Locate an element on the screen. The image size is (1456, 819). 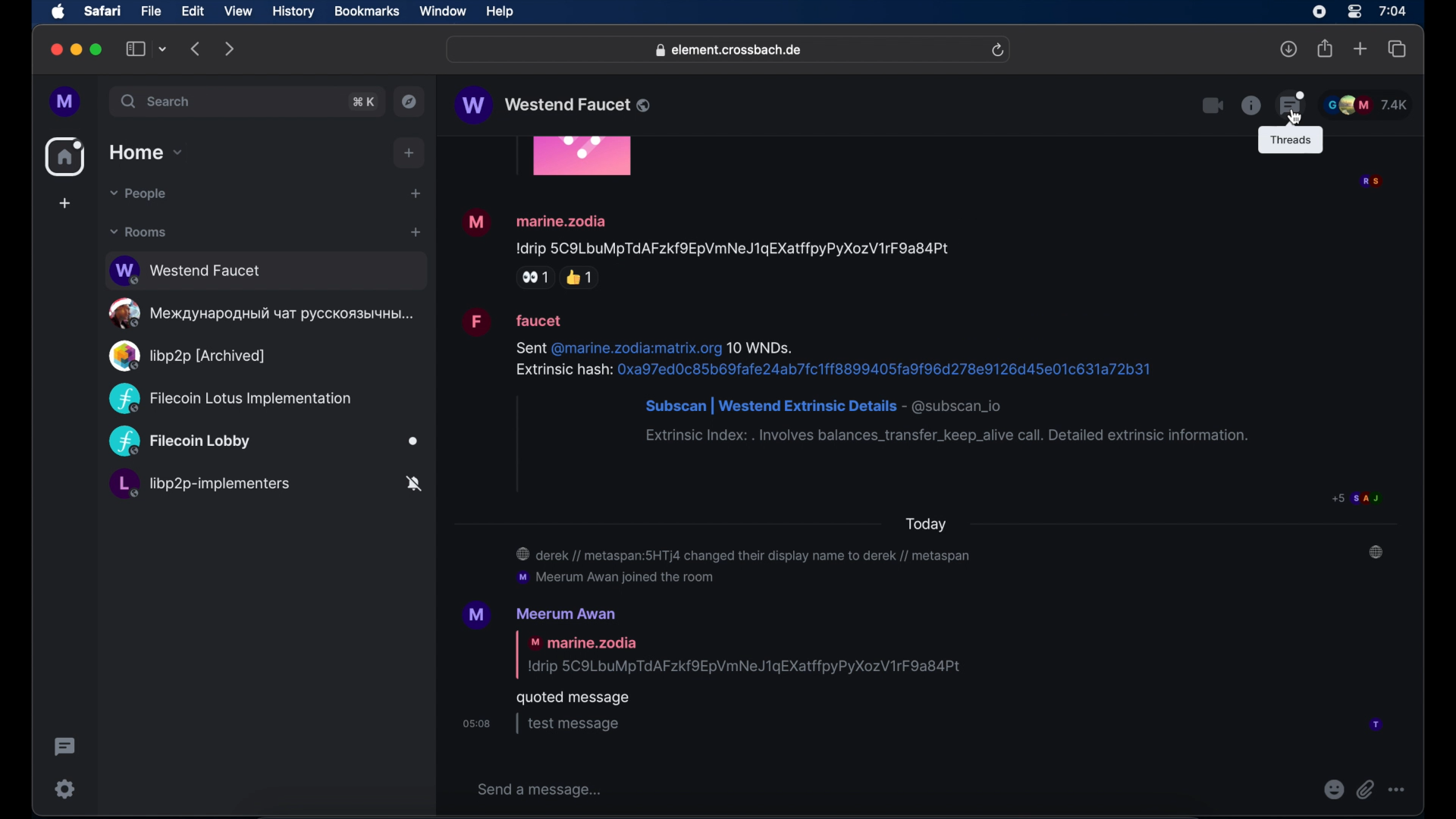
more option is located at coordinates (1408, 785).